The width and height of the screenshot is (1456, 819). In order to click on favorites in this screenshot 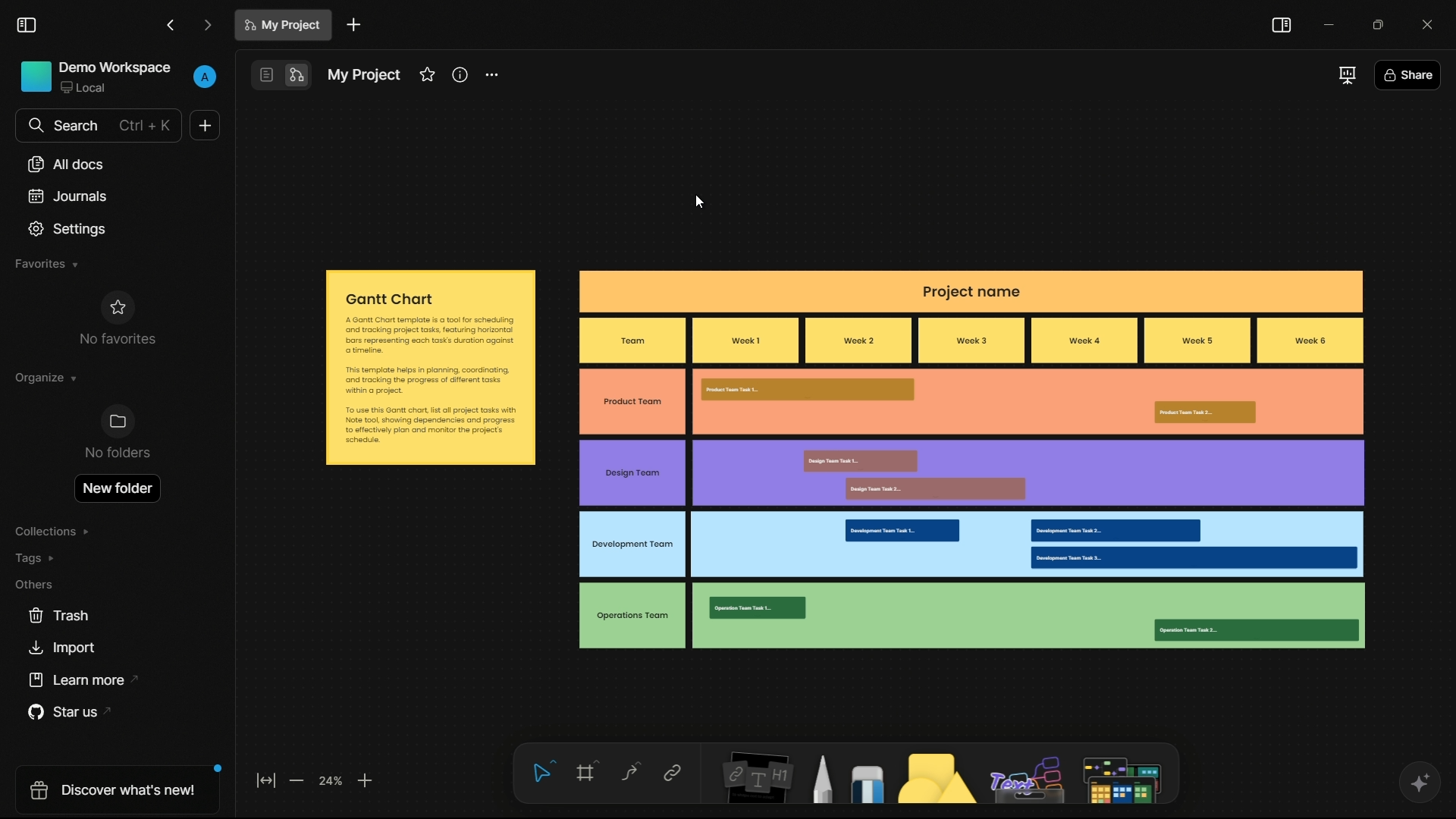, I will do `click(46, 265)`.